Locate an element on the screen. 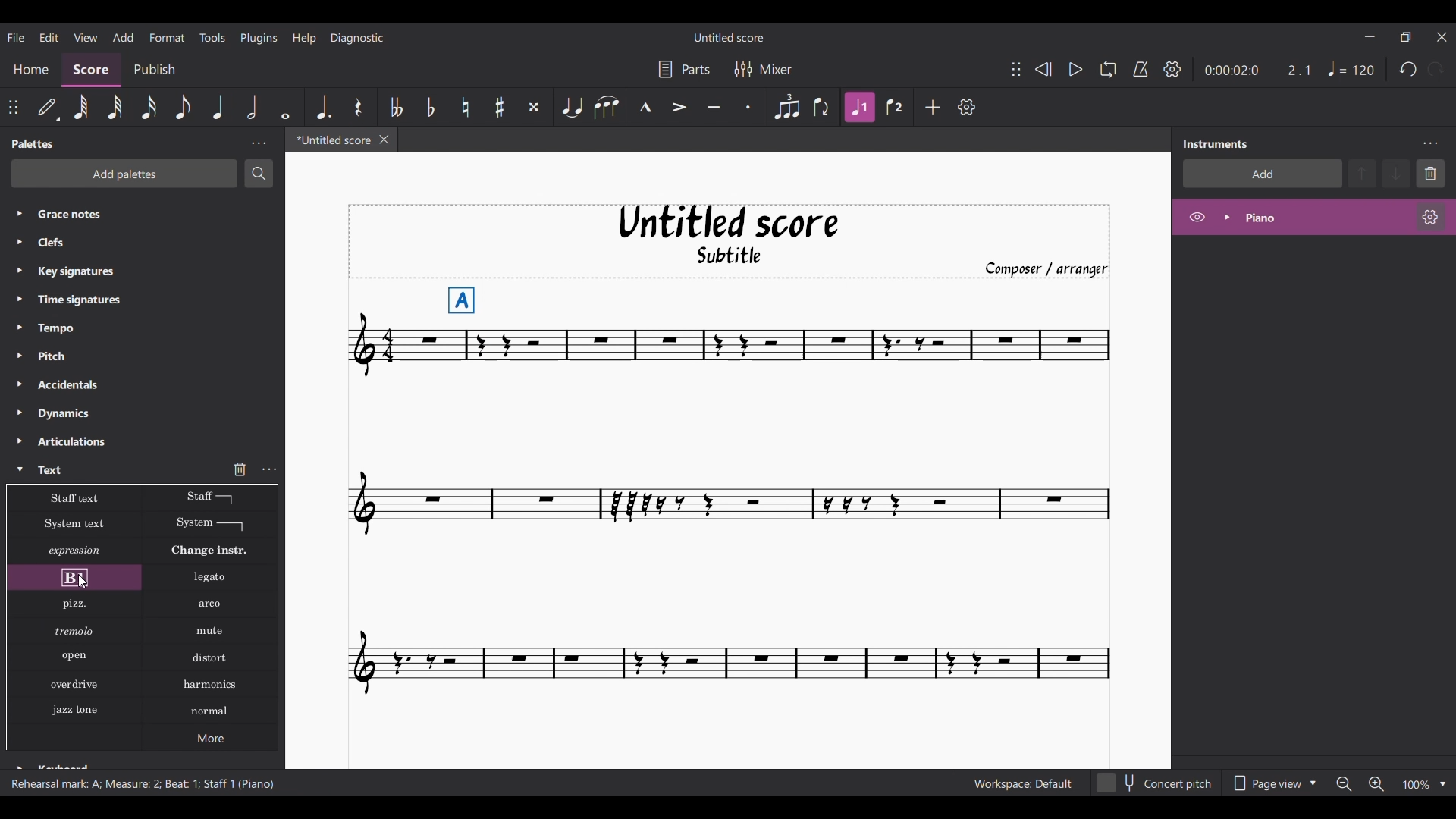  Loop playback is located at coordinates (1107, 69).